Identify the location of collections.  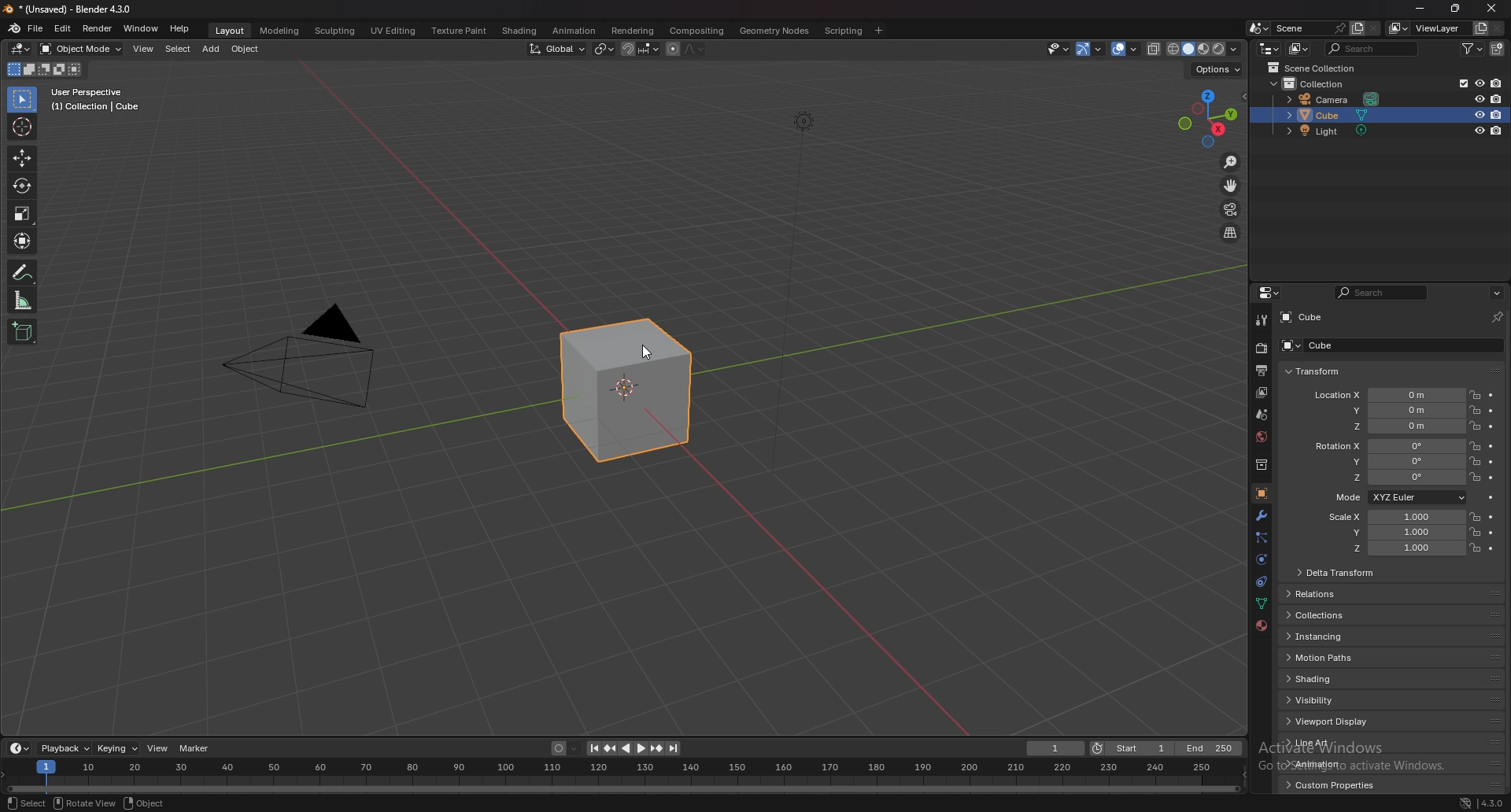
(1327, 615).